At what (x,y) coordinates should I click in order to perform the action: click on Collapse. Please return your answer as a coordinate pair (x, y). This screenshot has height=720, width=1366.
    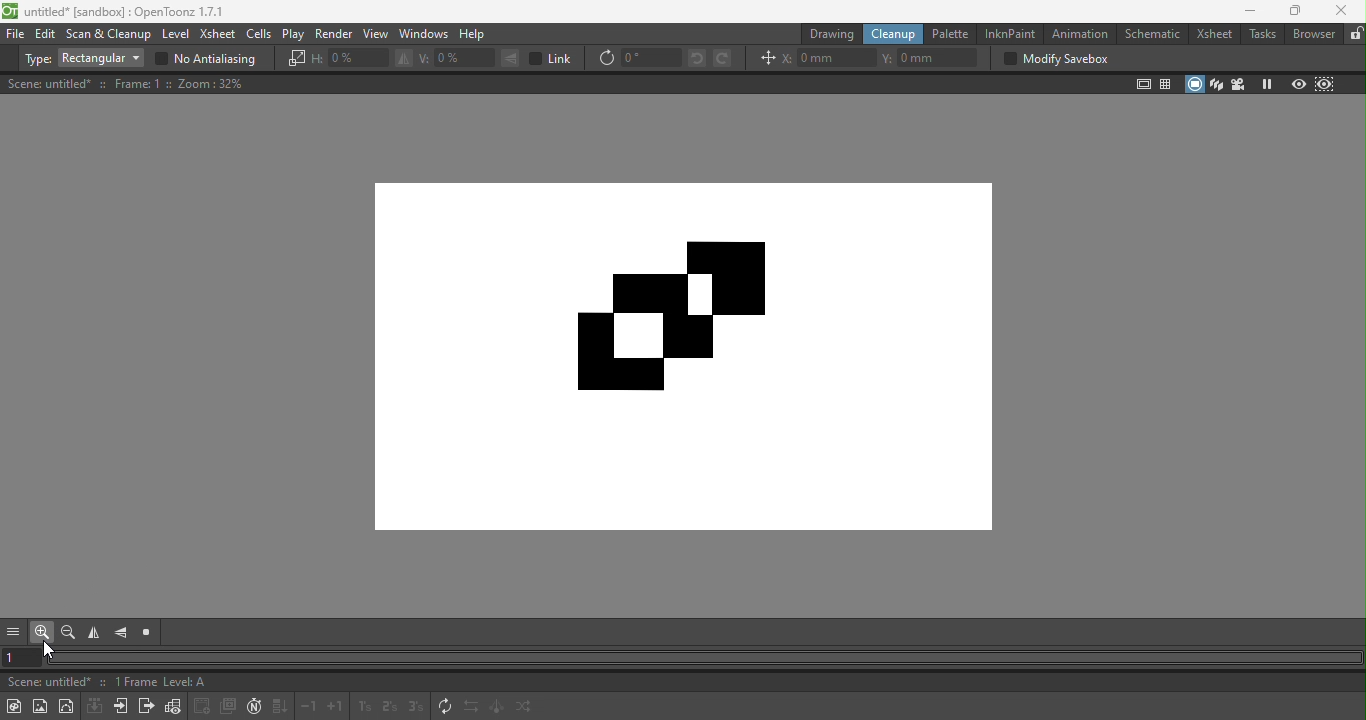
    Looking at the image, I should click on (93, 707).